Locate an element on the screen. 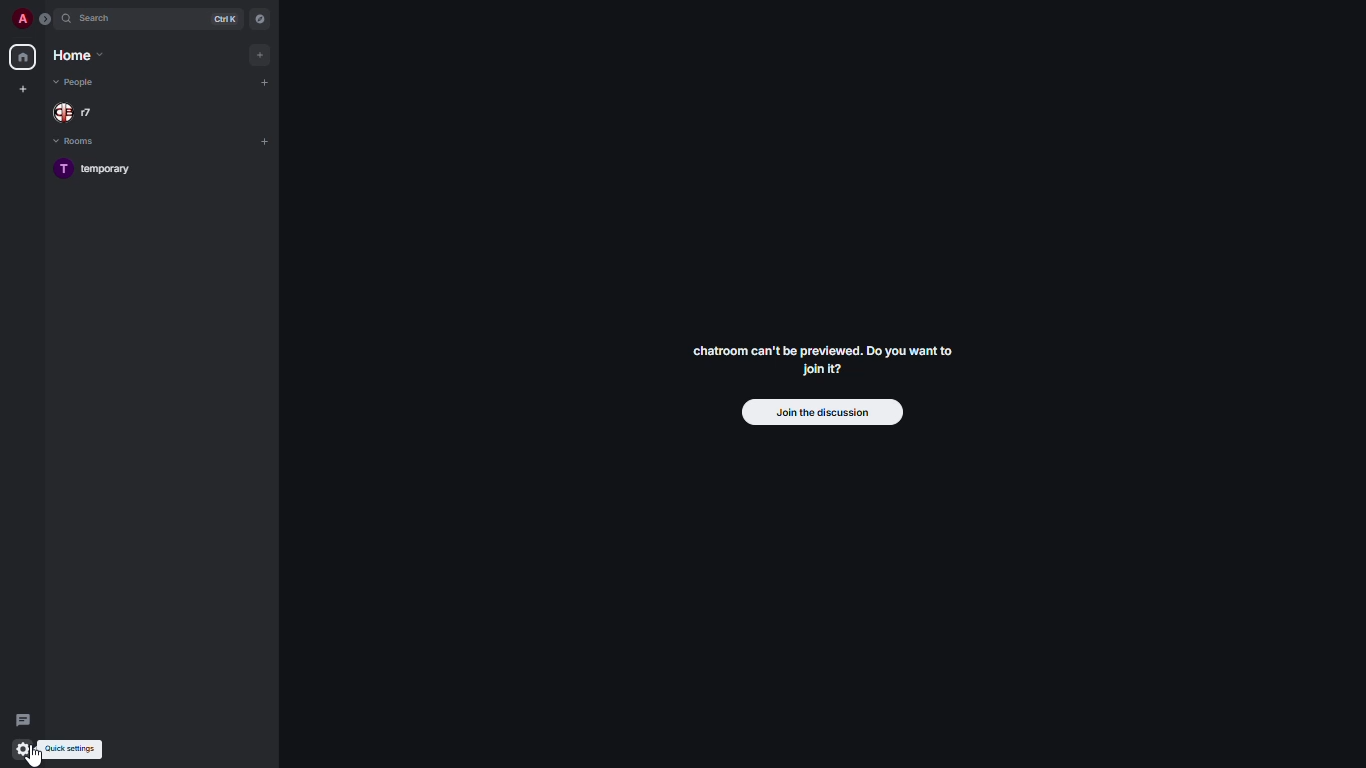  cursor is located at coordinates (34, 753).